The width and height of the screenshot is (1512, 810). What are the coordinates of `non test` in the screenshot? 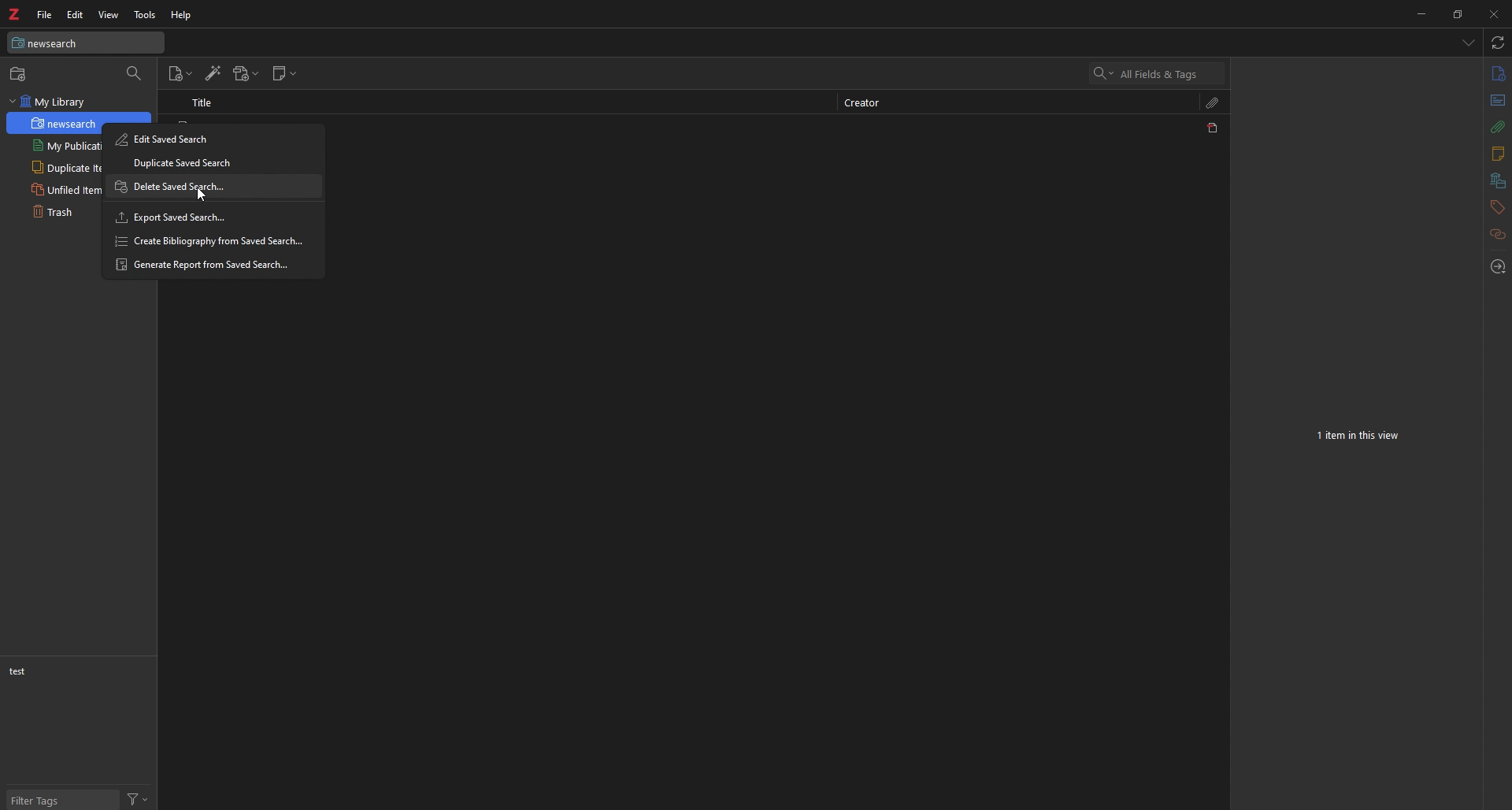 It's located at (28, 671).